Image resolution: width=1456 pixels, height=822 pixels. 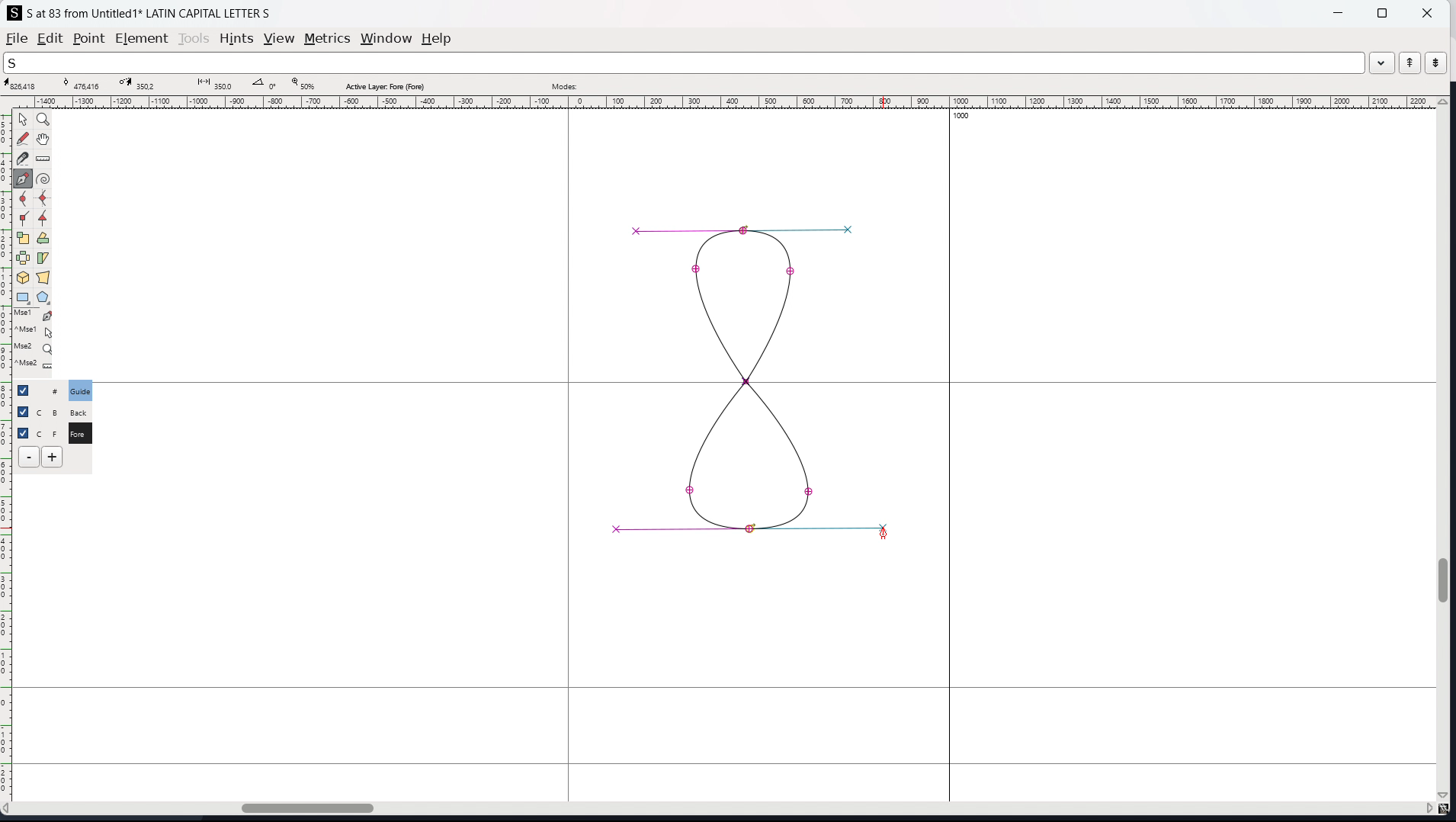 I want to click on add a point then drag out its control points, so click(x=24, y=178).